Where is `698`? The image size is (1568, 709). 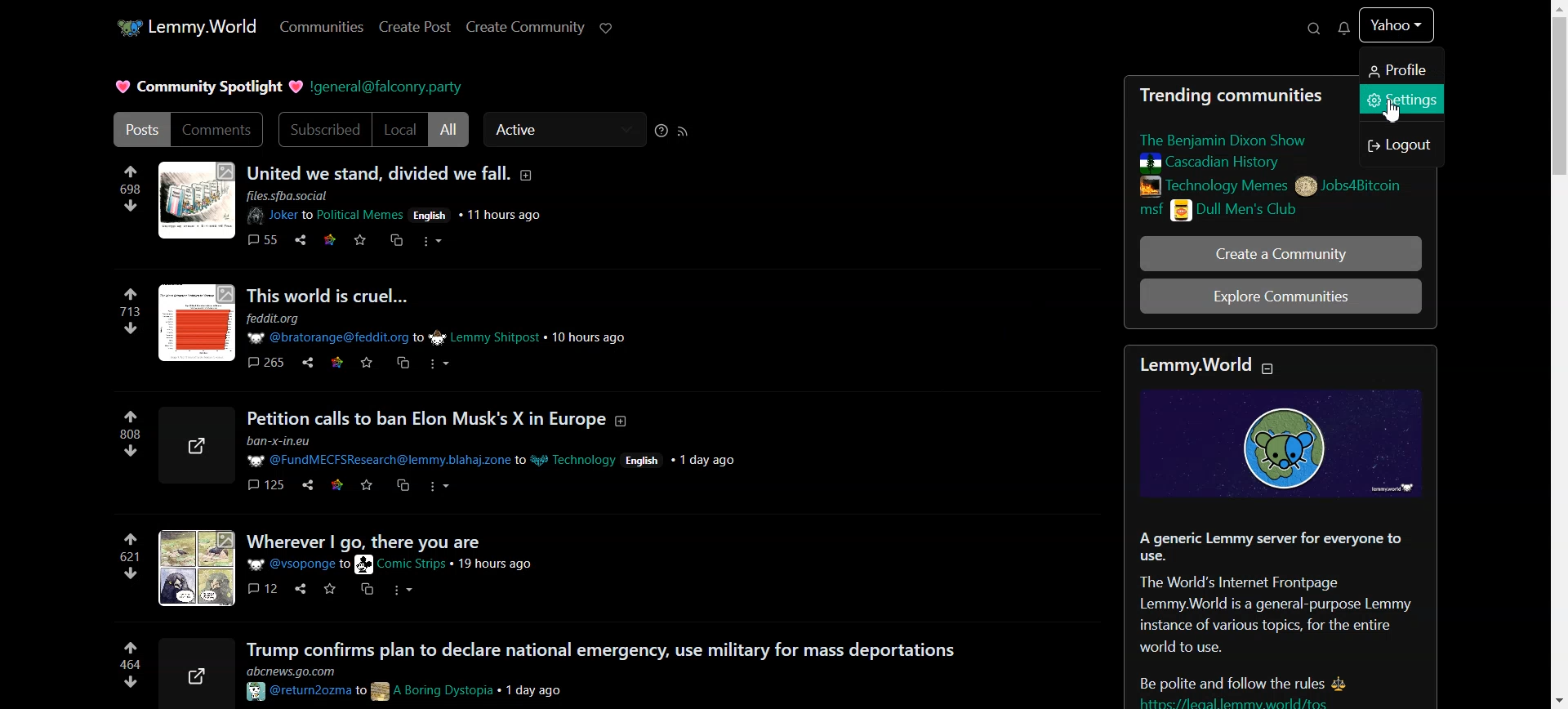
698 is located at coordinates (124, 190).